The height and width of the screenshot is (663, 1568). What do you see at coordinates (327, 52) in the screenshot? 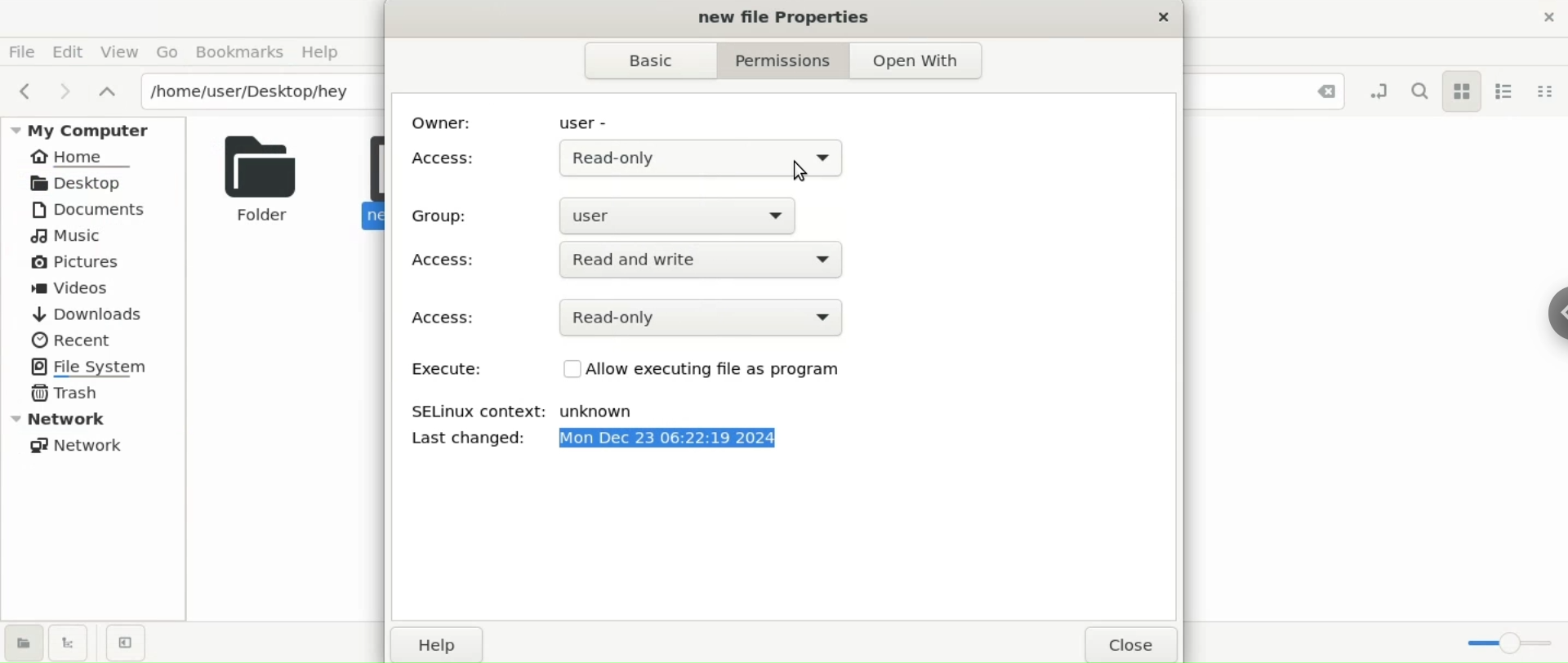
I see `Help` at bounding box center [327, 52].